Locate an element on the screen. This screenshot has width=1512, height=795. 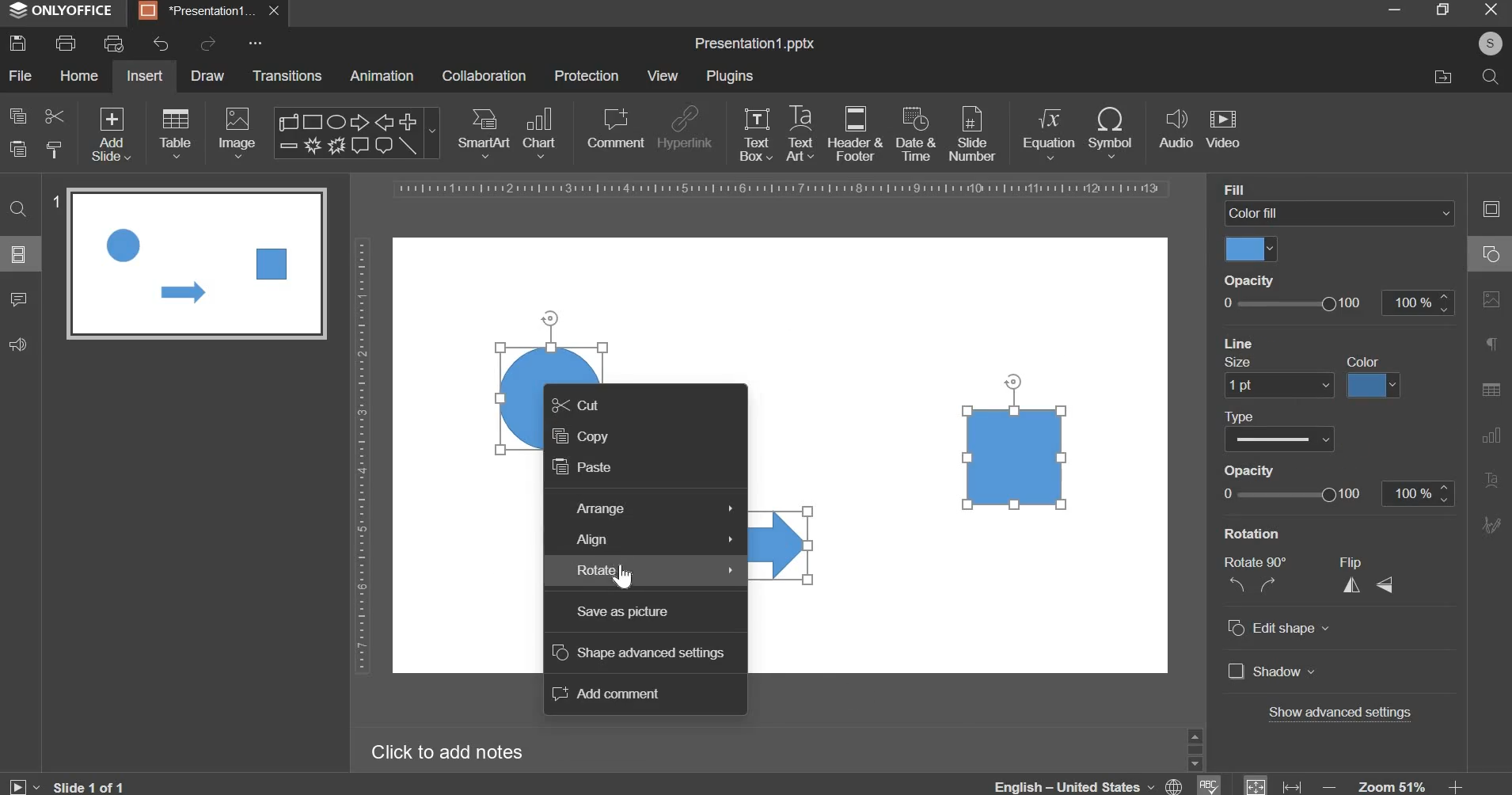
undo is located at coordinates (161, 44).